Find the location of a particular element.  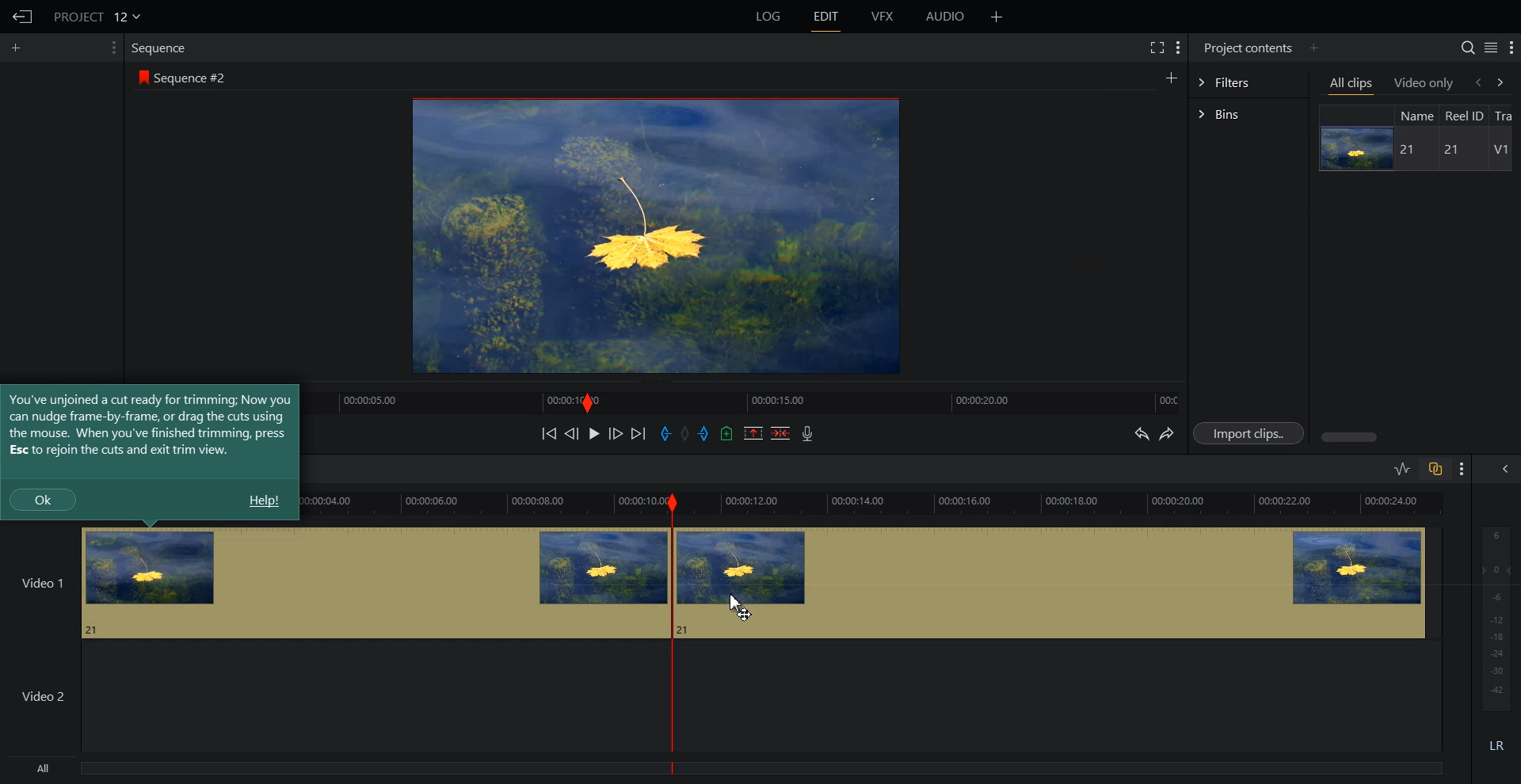

Timeline is located at coordinates (750, 401).